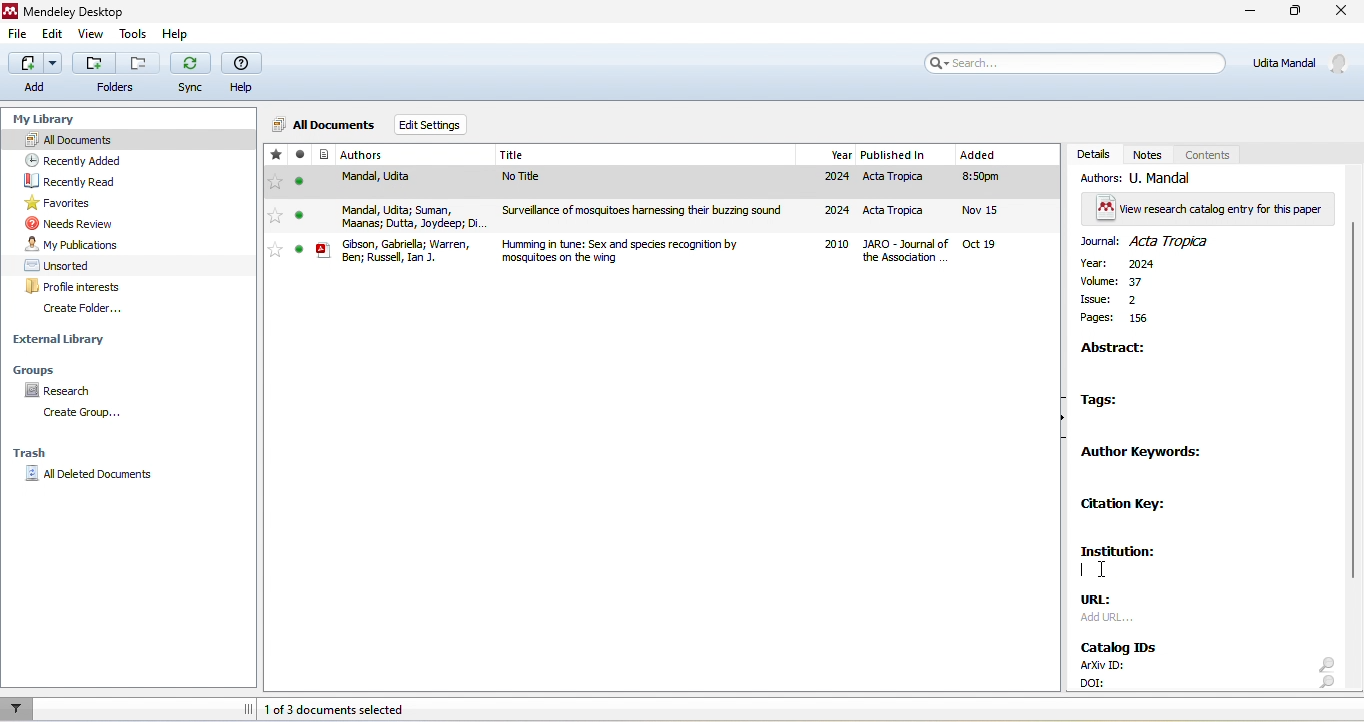  What do you see at coordinates (243, 74) in the screenshot?
I see `help` at bounding box center [243, 74].